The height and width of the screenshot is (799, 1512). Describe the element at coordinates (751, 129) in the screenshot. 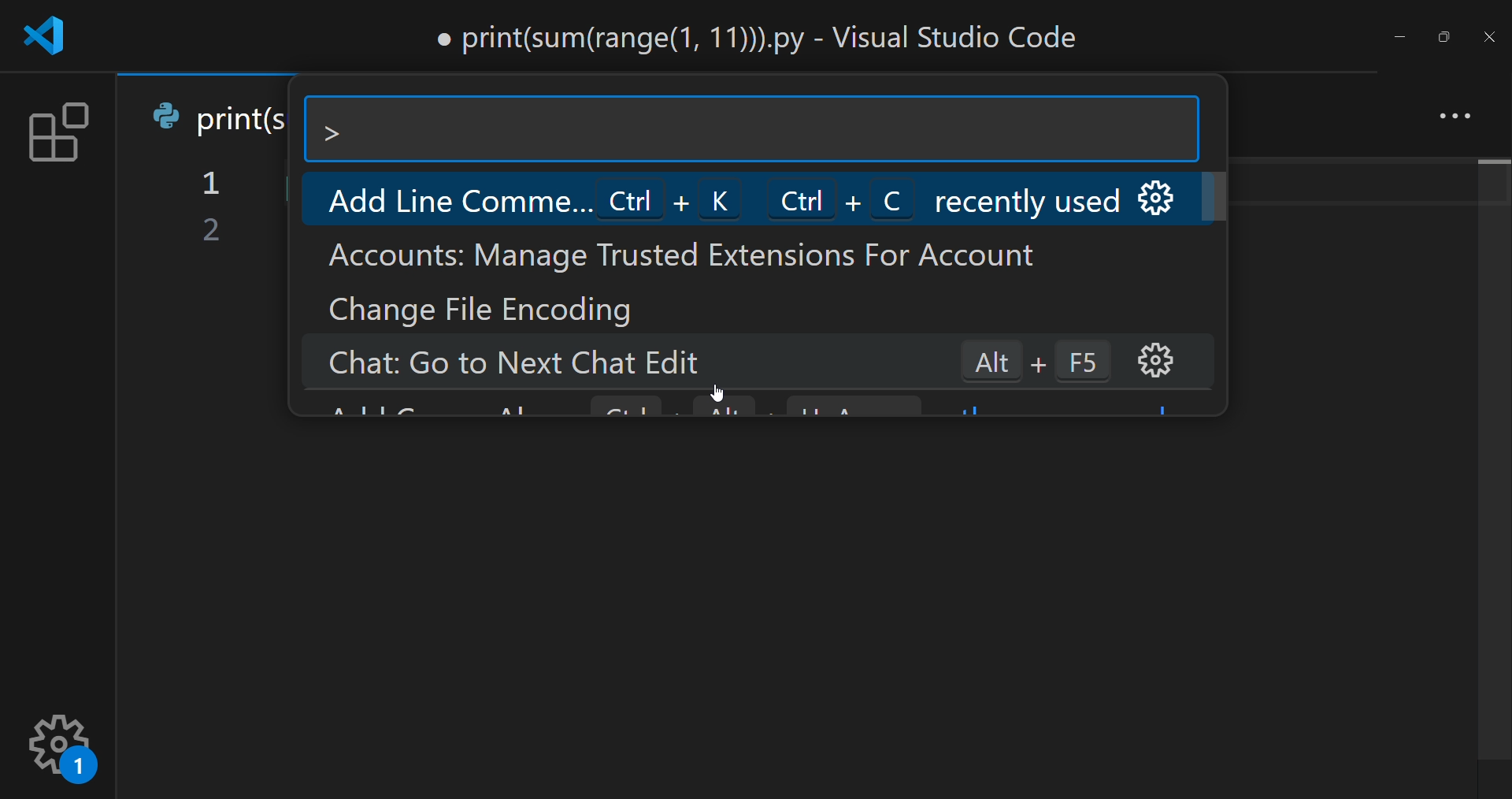

I see `search bar` at that location.